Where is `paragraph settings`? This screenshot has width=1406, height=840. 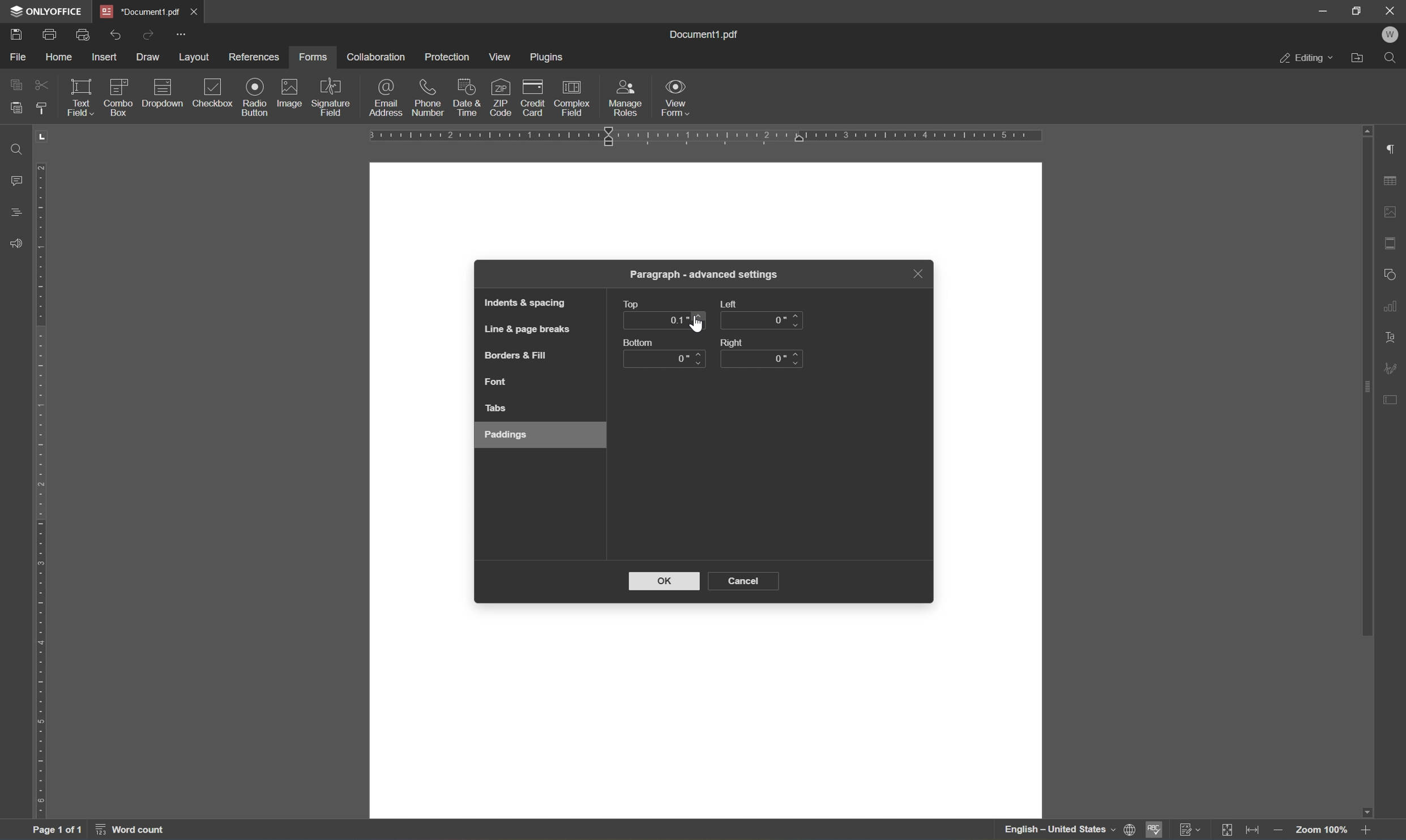 paragraph settings is located at coordinates (1394, 150).